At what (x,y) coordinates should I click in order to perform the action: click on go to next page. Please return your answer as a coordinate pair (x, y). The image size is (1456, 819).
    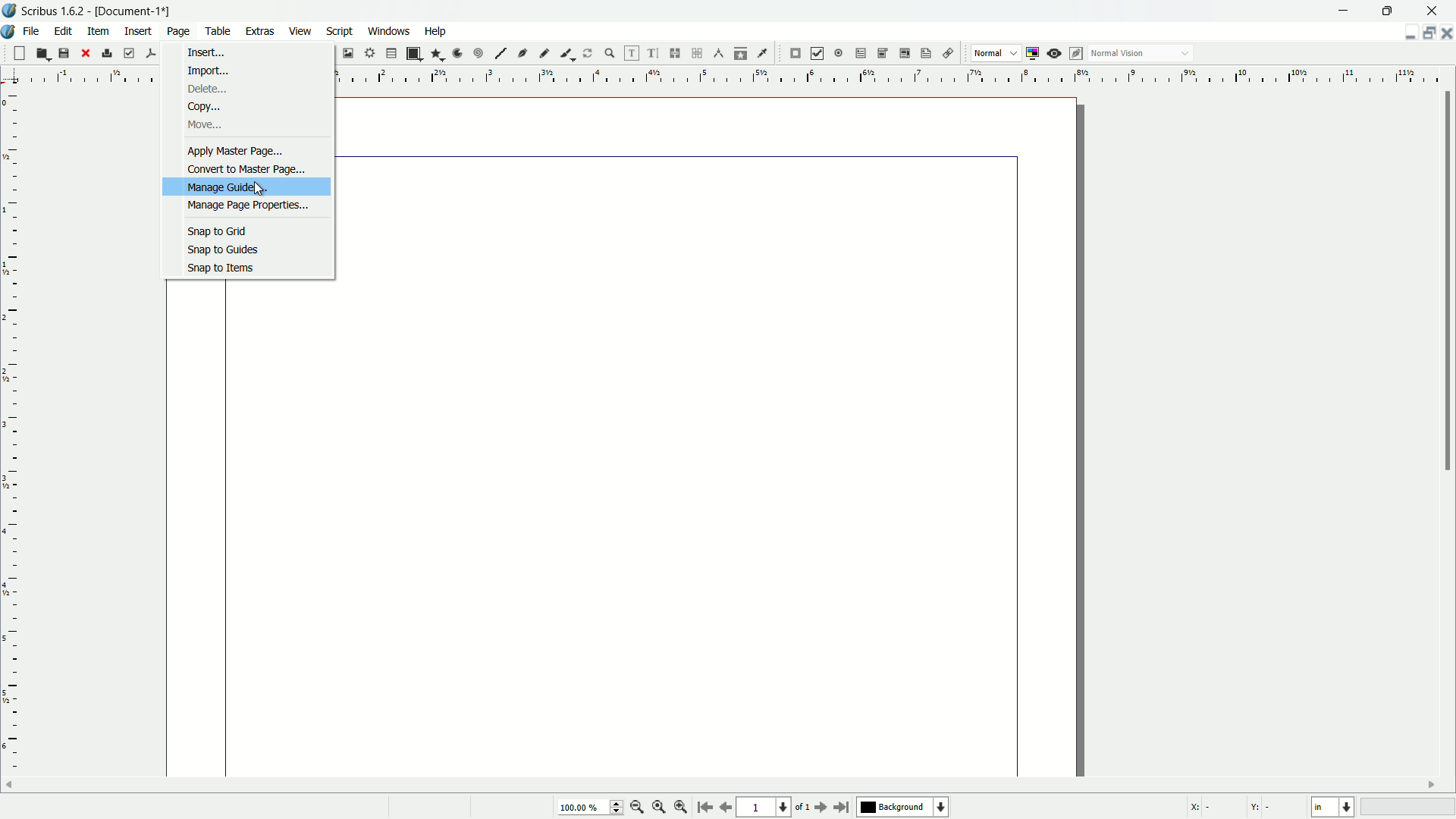
    Looking at the image, I should click on (818, 808).